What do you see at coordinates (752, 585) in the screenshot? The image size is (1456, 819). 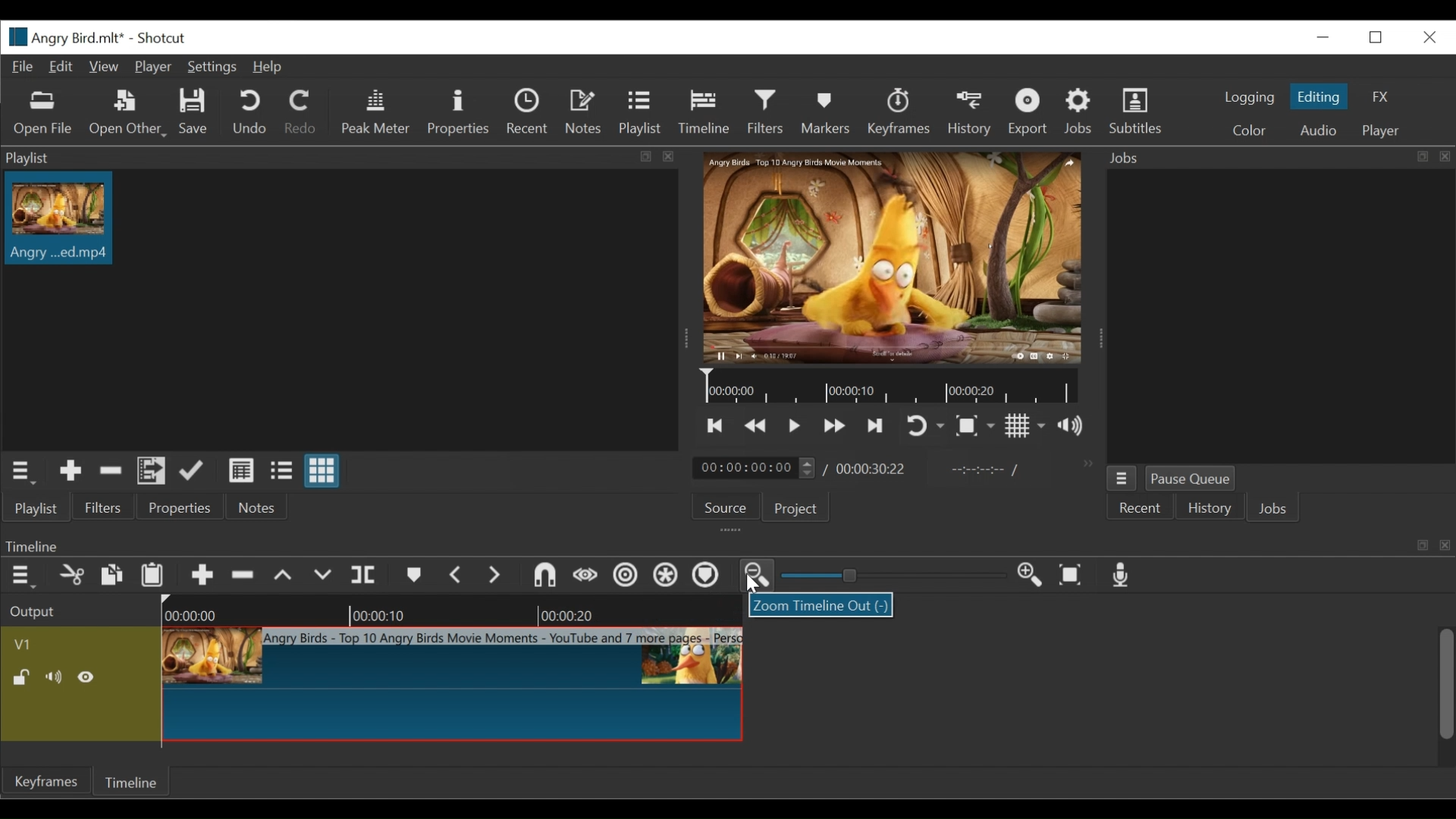 I see `cursor` at bounding box center [752, 585].